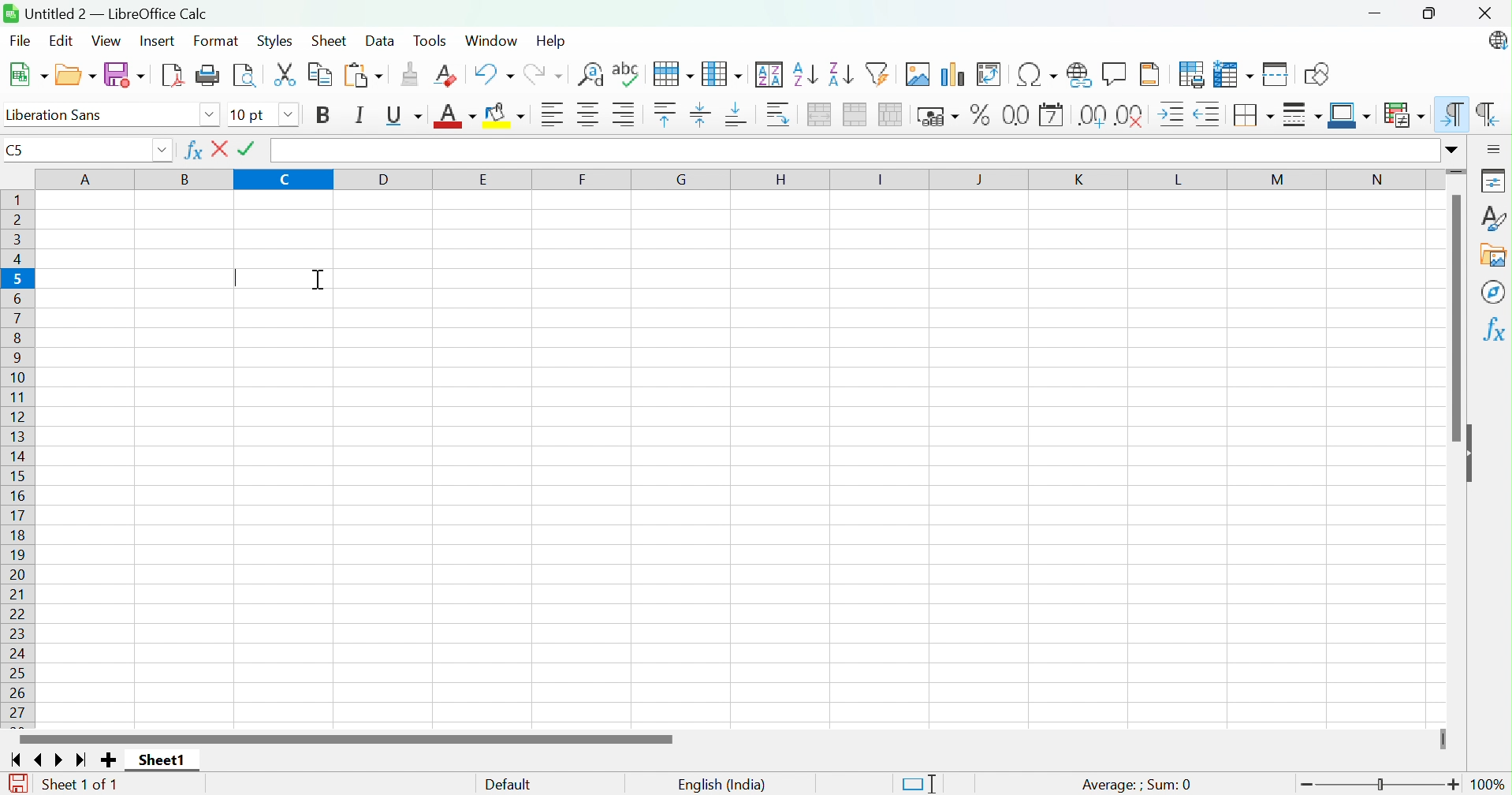  I want to click on Split window, so click(1277, 74).